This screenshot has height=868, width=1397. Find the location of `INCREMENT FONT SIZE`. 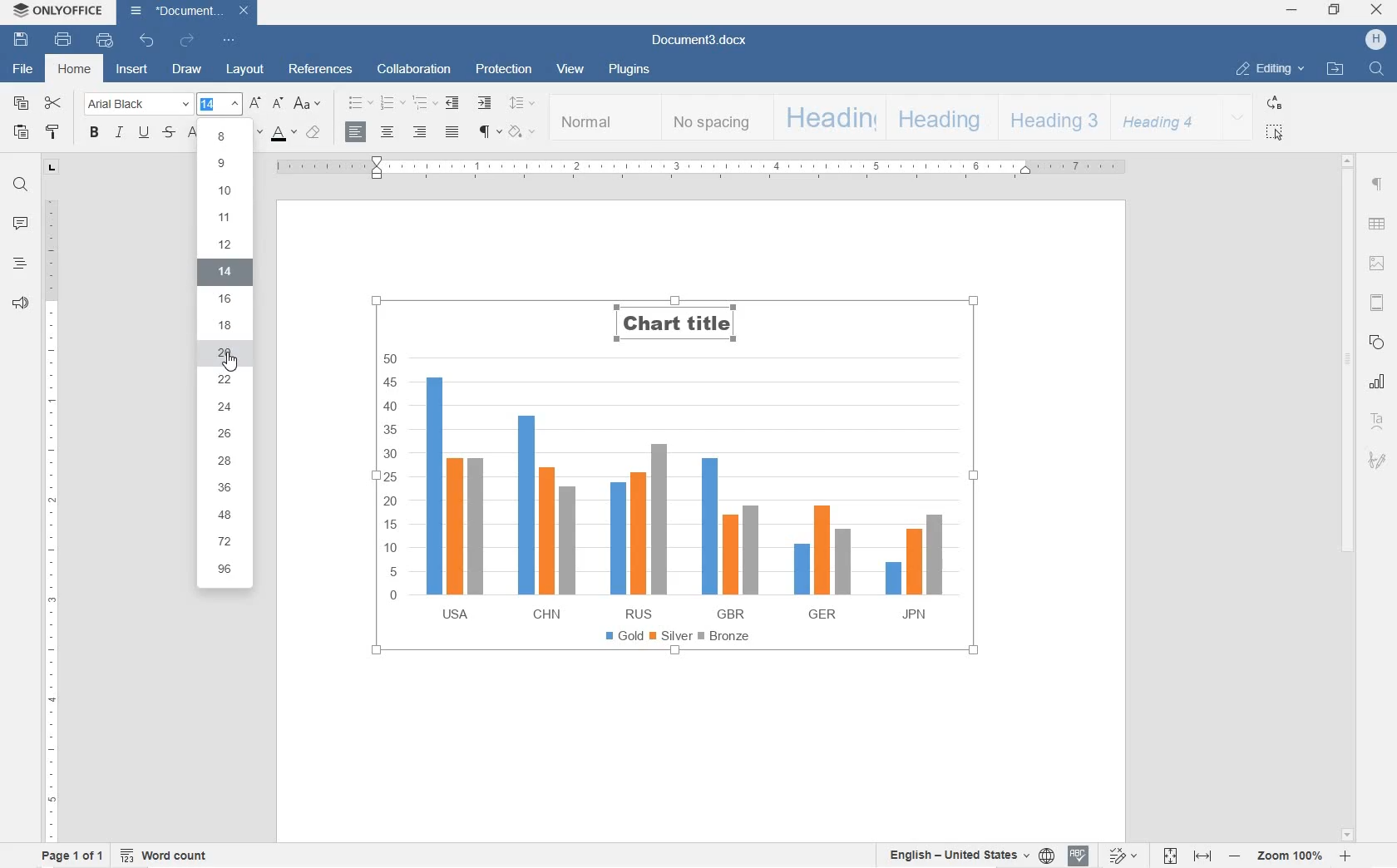

INCREMENT FONT SIZE is located at coordinates (256, 103).